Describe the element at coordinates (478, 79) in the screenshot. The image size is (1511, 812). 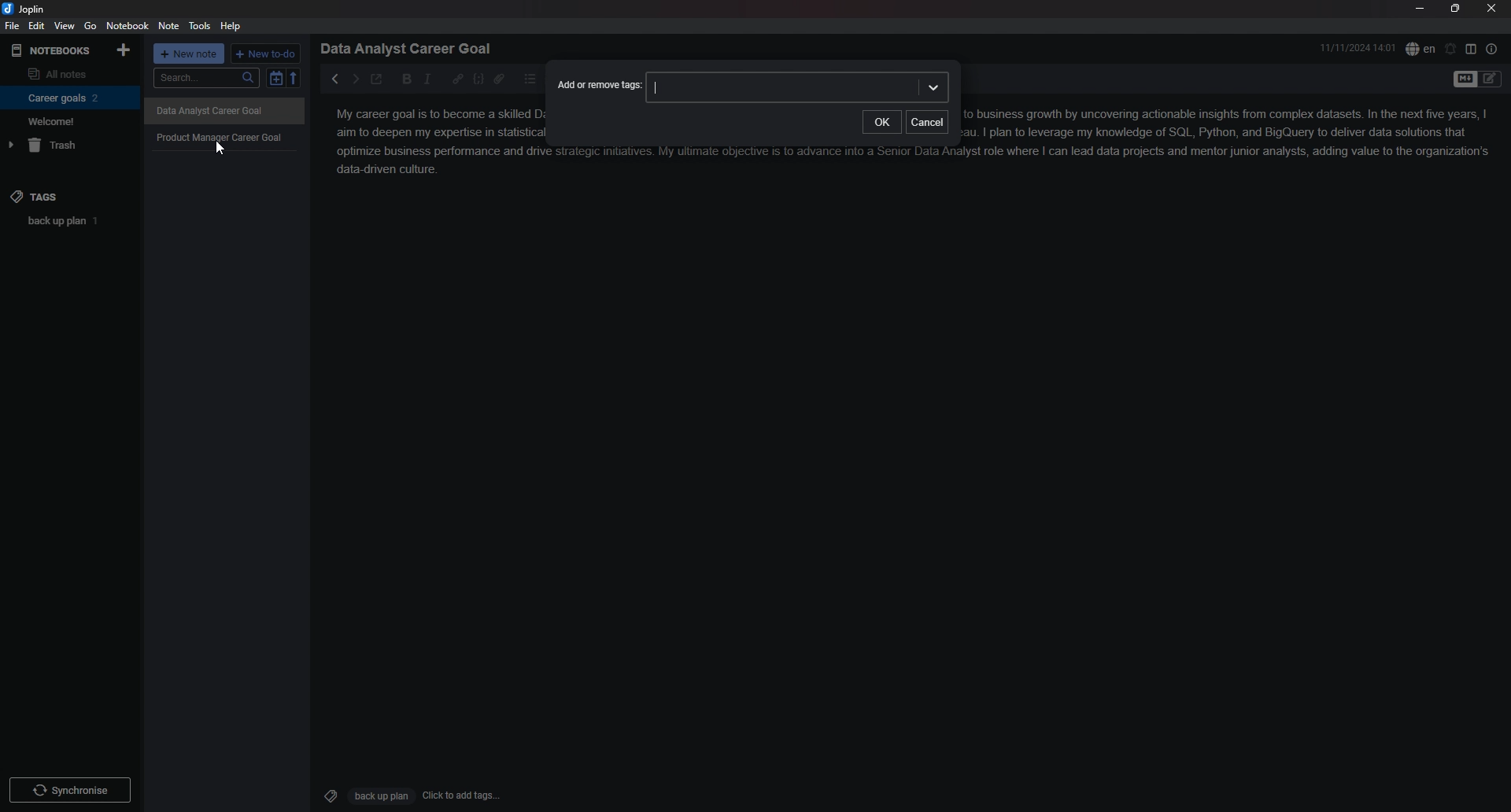
I see `code` at that location.